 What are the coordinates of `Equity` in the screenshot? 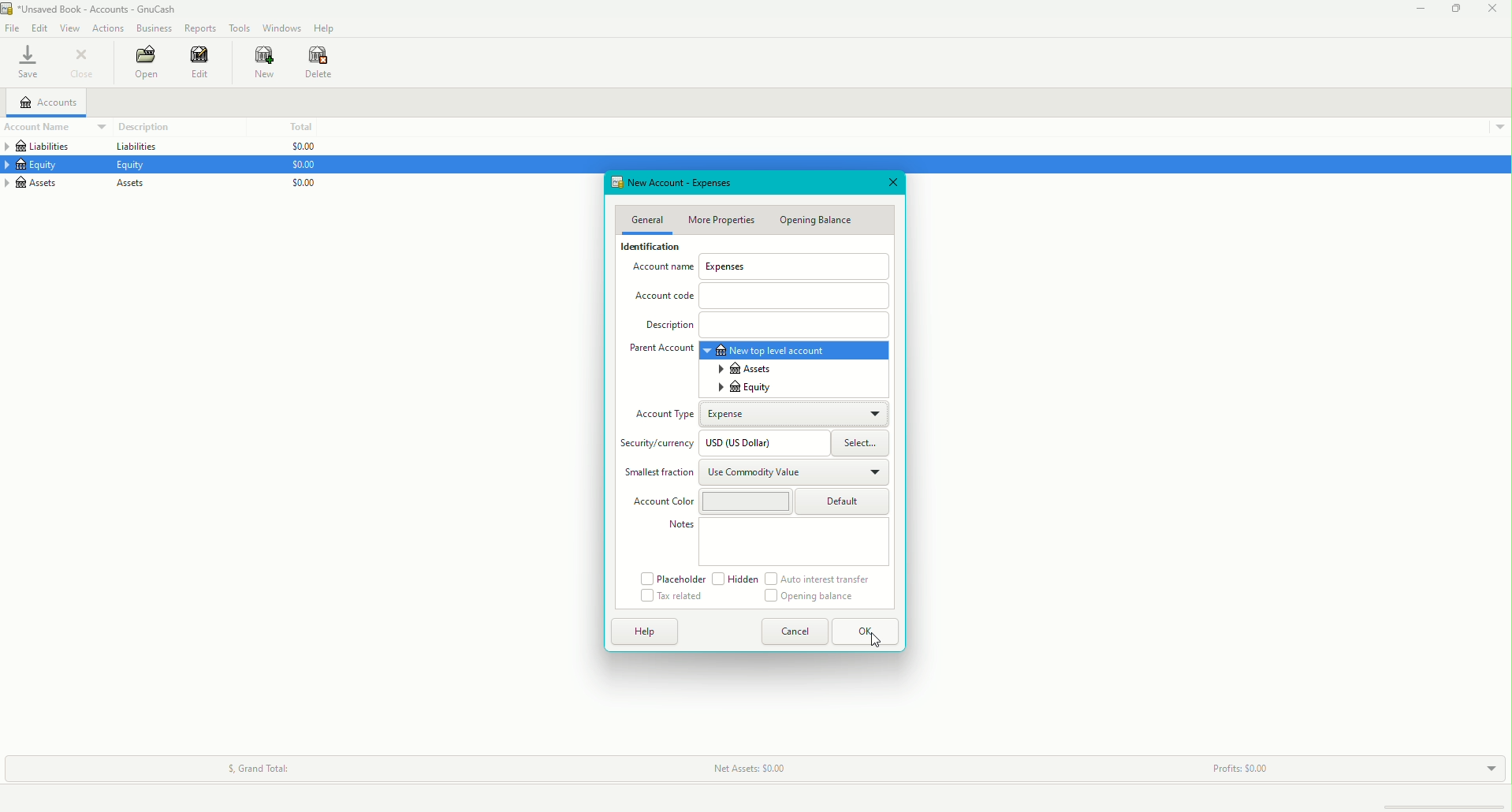 It's located at (741, 391).